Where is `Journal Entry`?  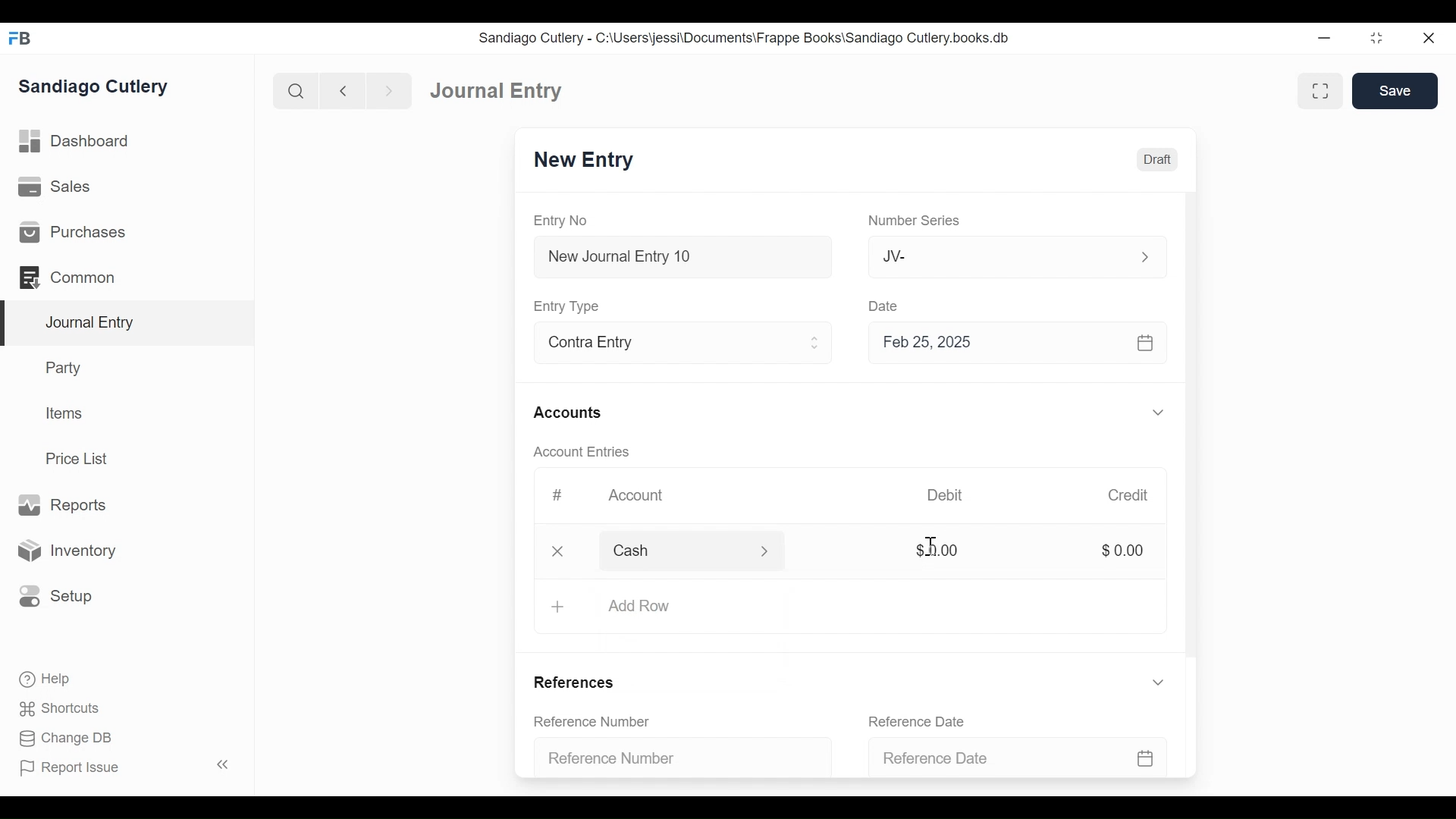 Journal Entry is located at coordinates (128, 323).